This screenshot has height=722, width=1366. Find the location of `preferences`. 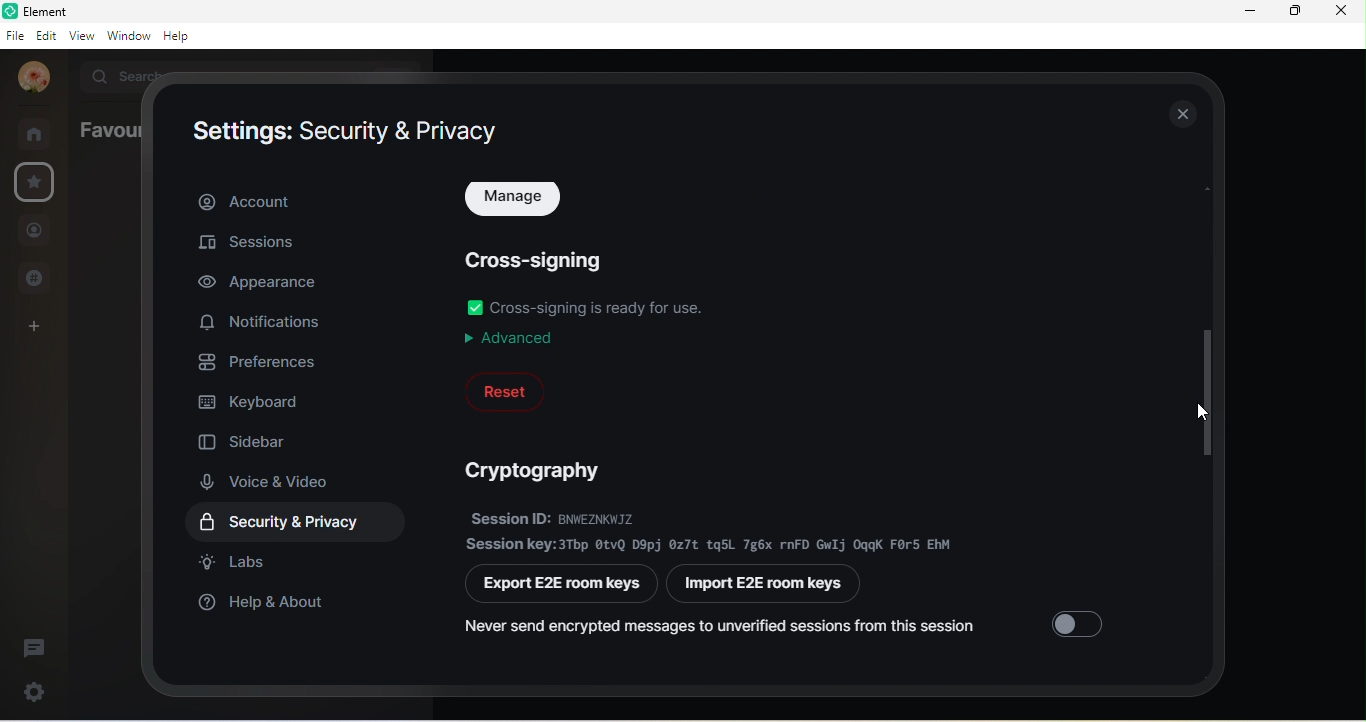

preferences is located at coordinates (263, 360).